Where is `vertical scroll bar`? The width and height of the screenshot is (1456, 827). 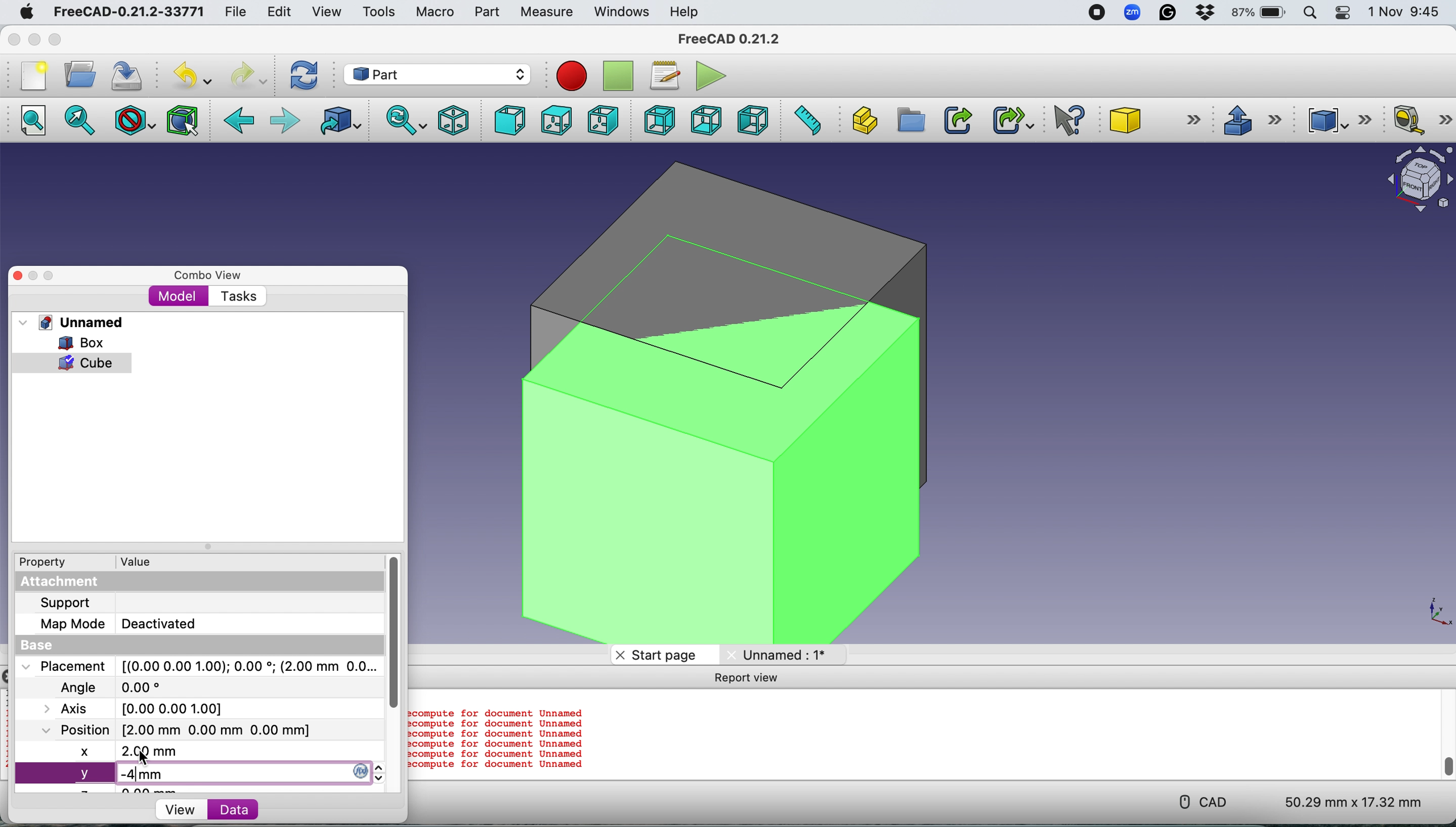 vertical scroll bar is located at coordinates (1443, 733).